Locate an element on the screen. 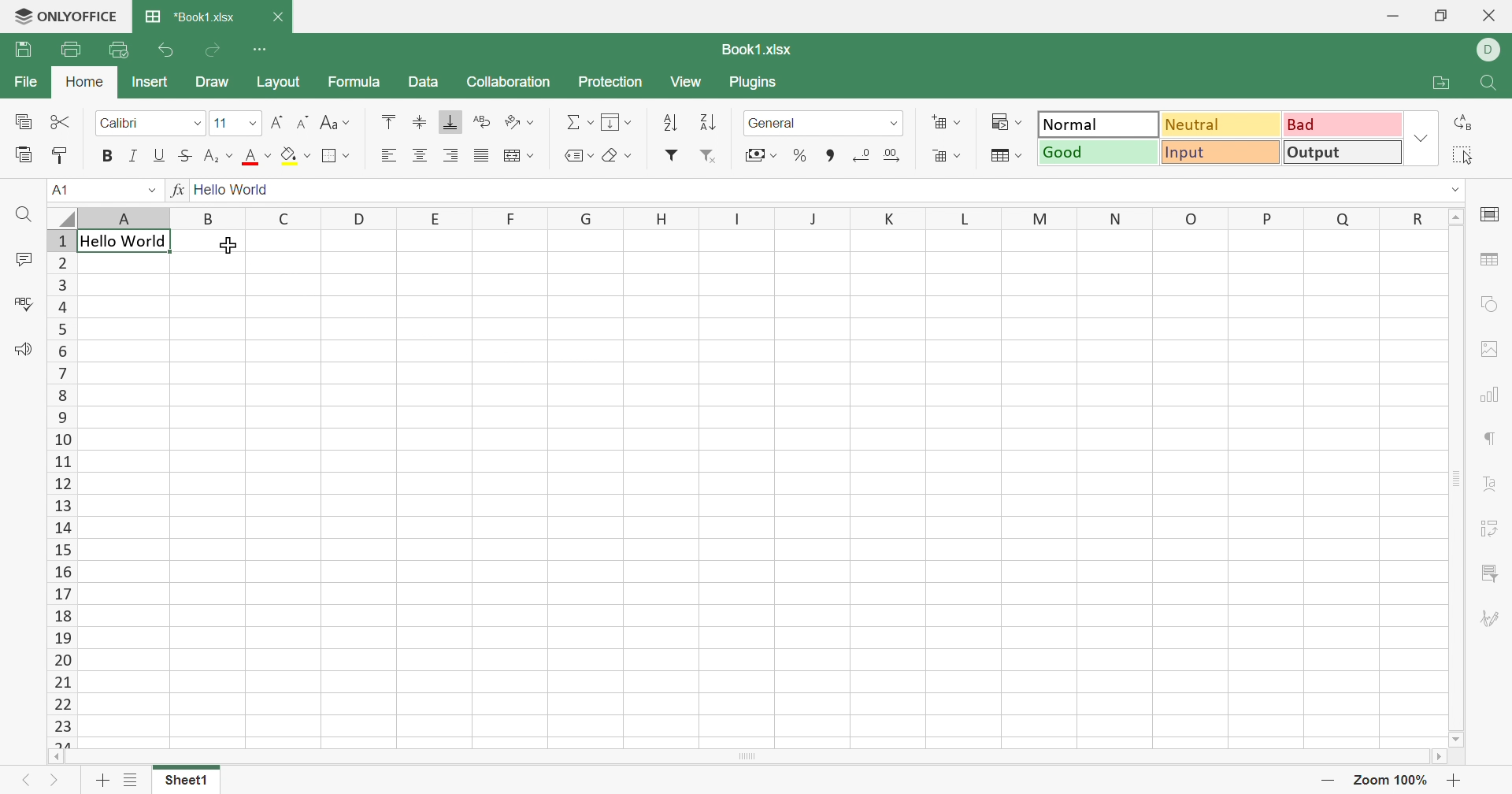 The image size is (1512, 794). Cursor is located at coordinates (228, 244).